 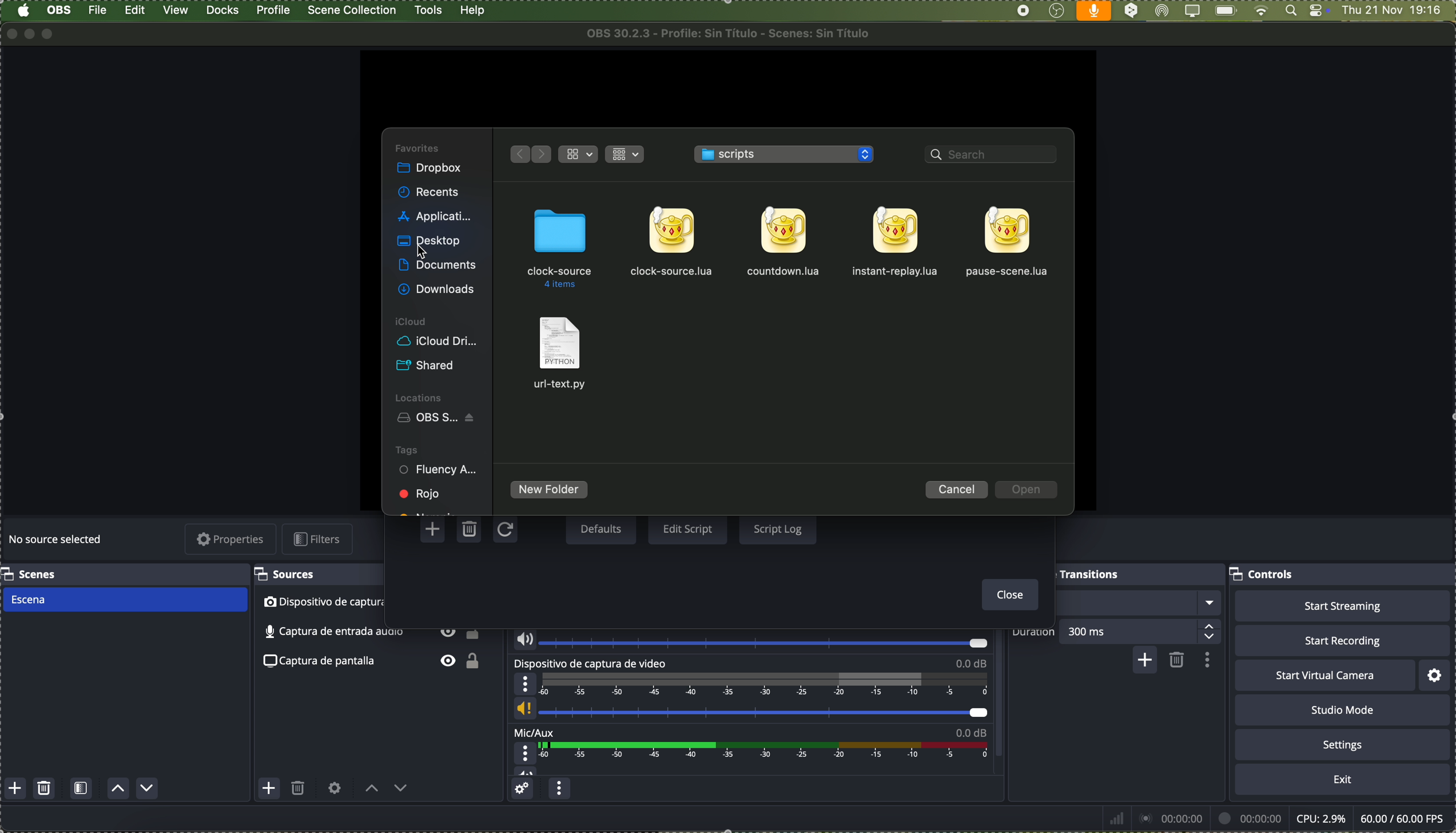 I want to click on file, so click(x=678, y=243).